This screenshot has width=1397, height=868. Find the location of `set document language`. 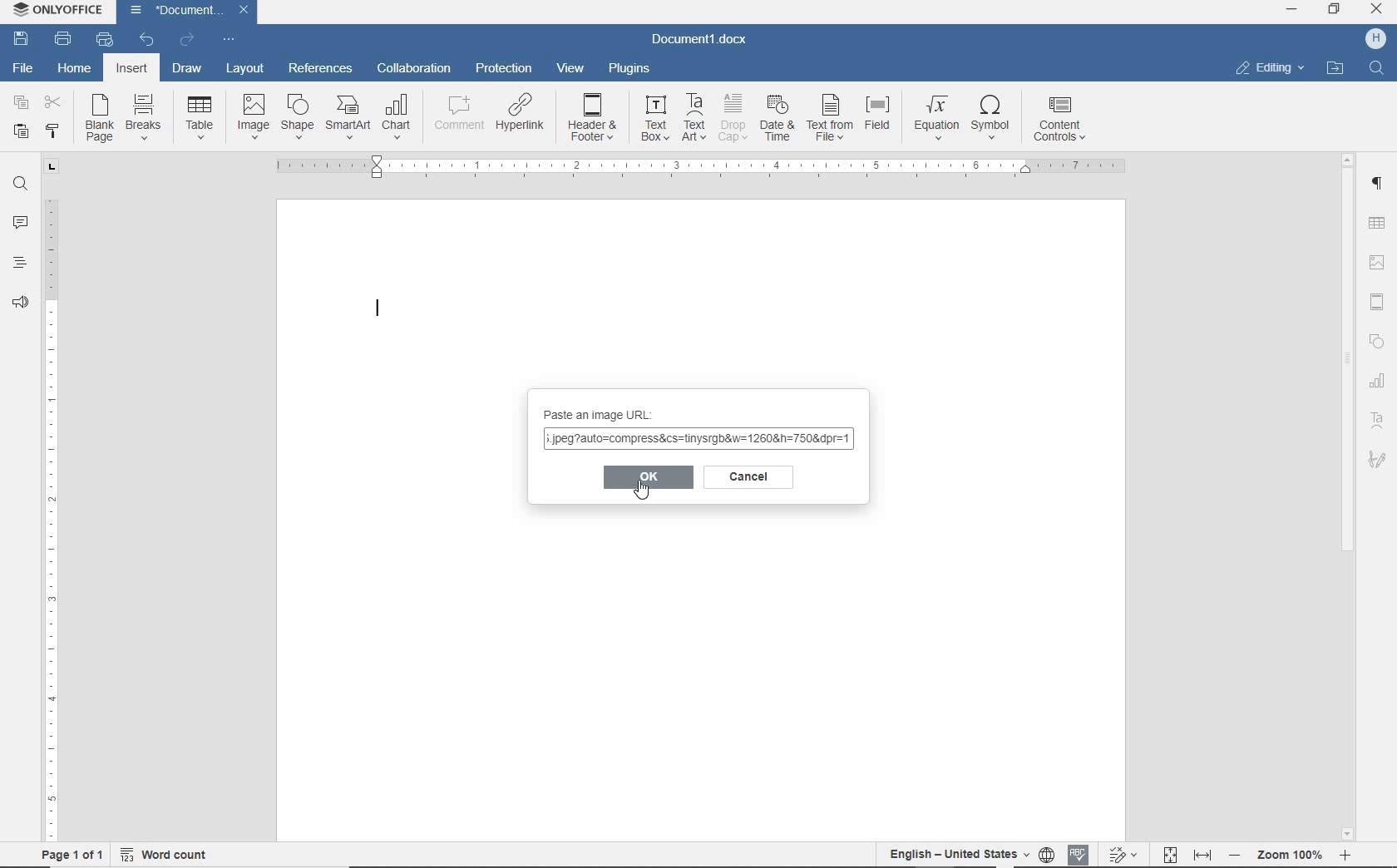

set document language is located at coordinates (1045, 855).